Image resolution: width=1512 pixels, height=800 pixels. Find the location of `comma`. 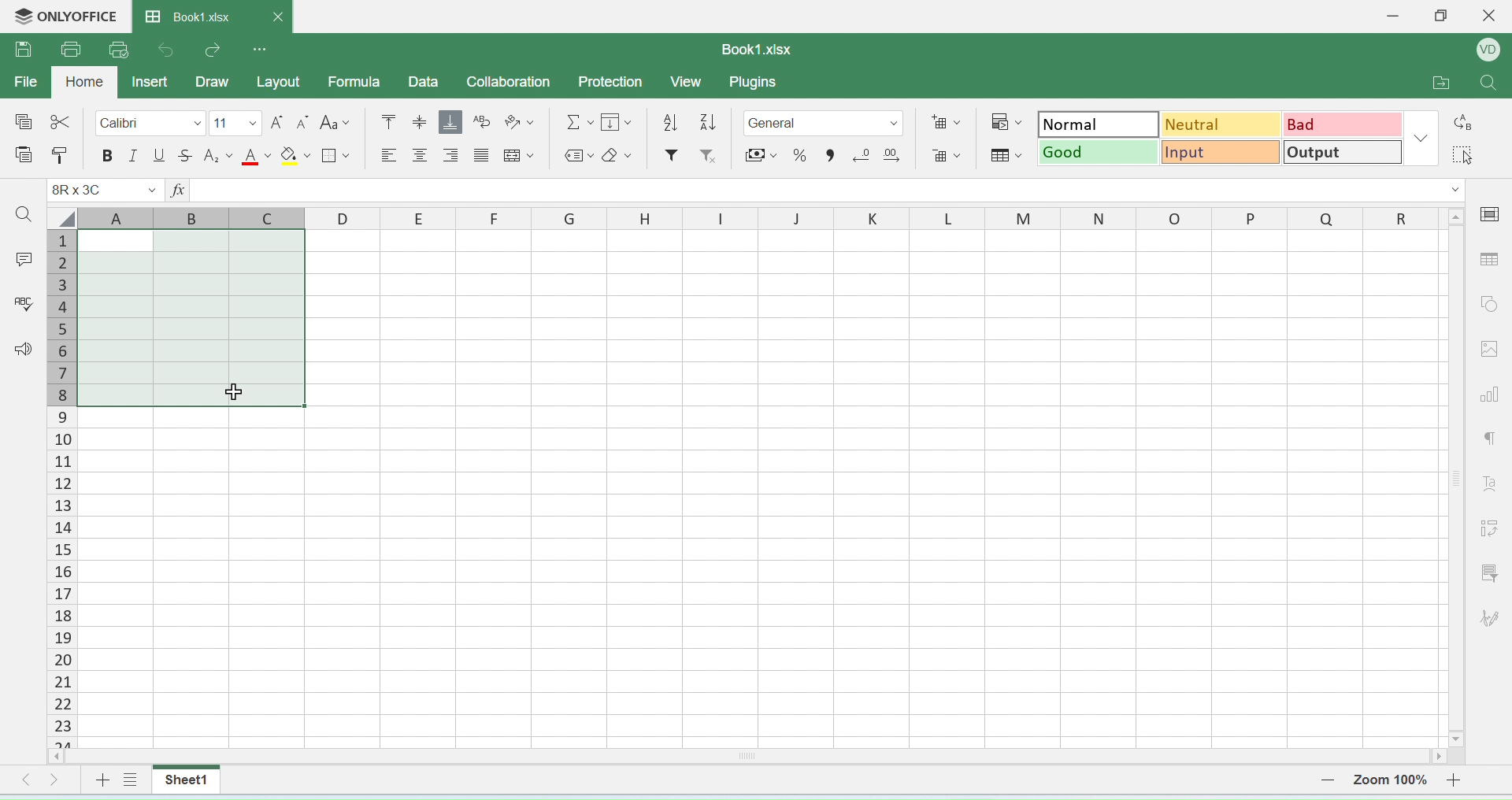

comma is located at coordinates (837, 155).